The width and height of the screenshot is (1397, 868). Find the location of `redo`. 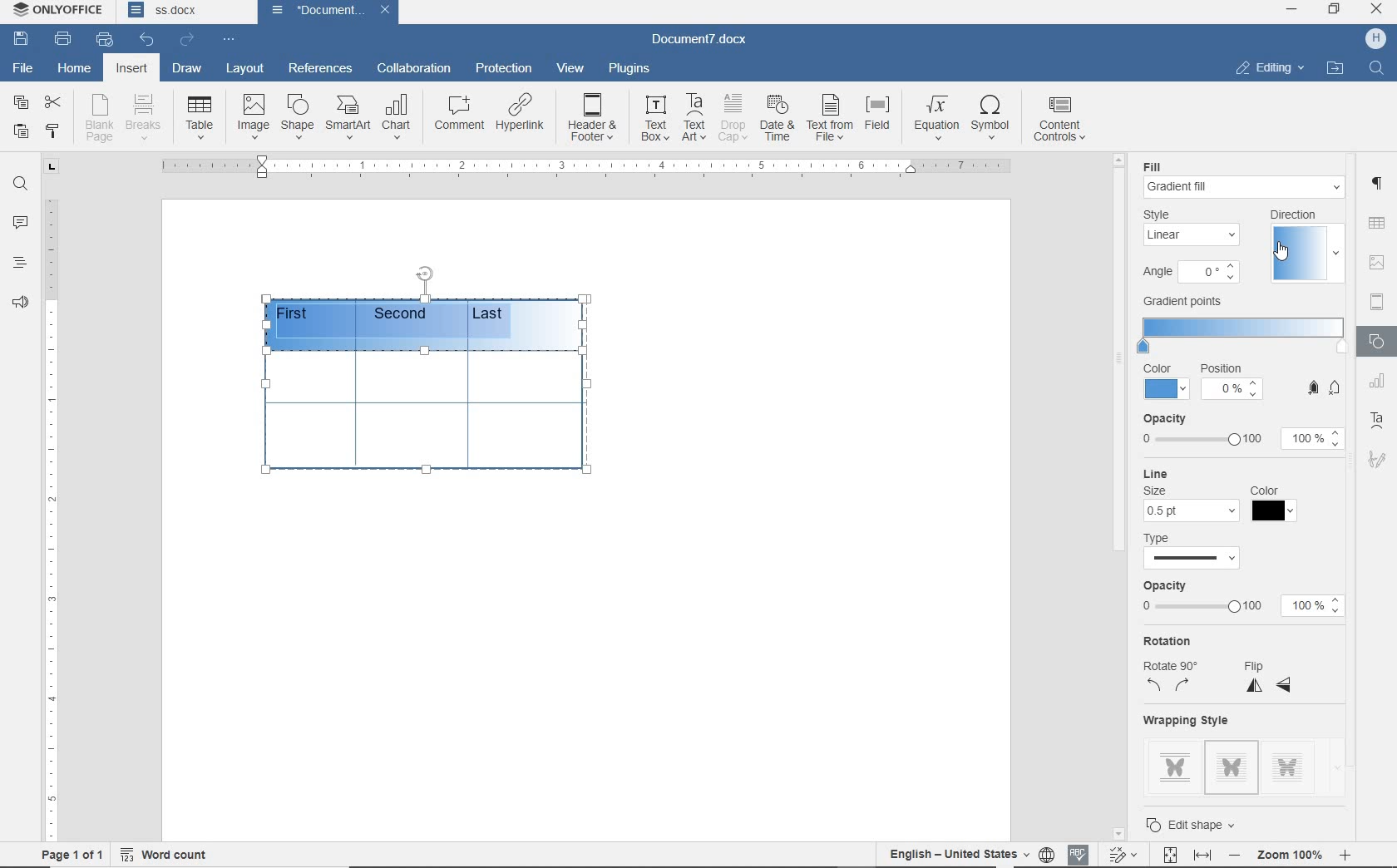

redo is located at coordinates (186, 39).